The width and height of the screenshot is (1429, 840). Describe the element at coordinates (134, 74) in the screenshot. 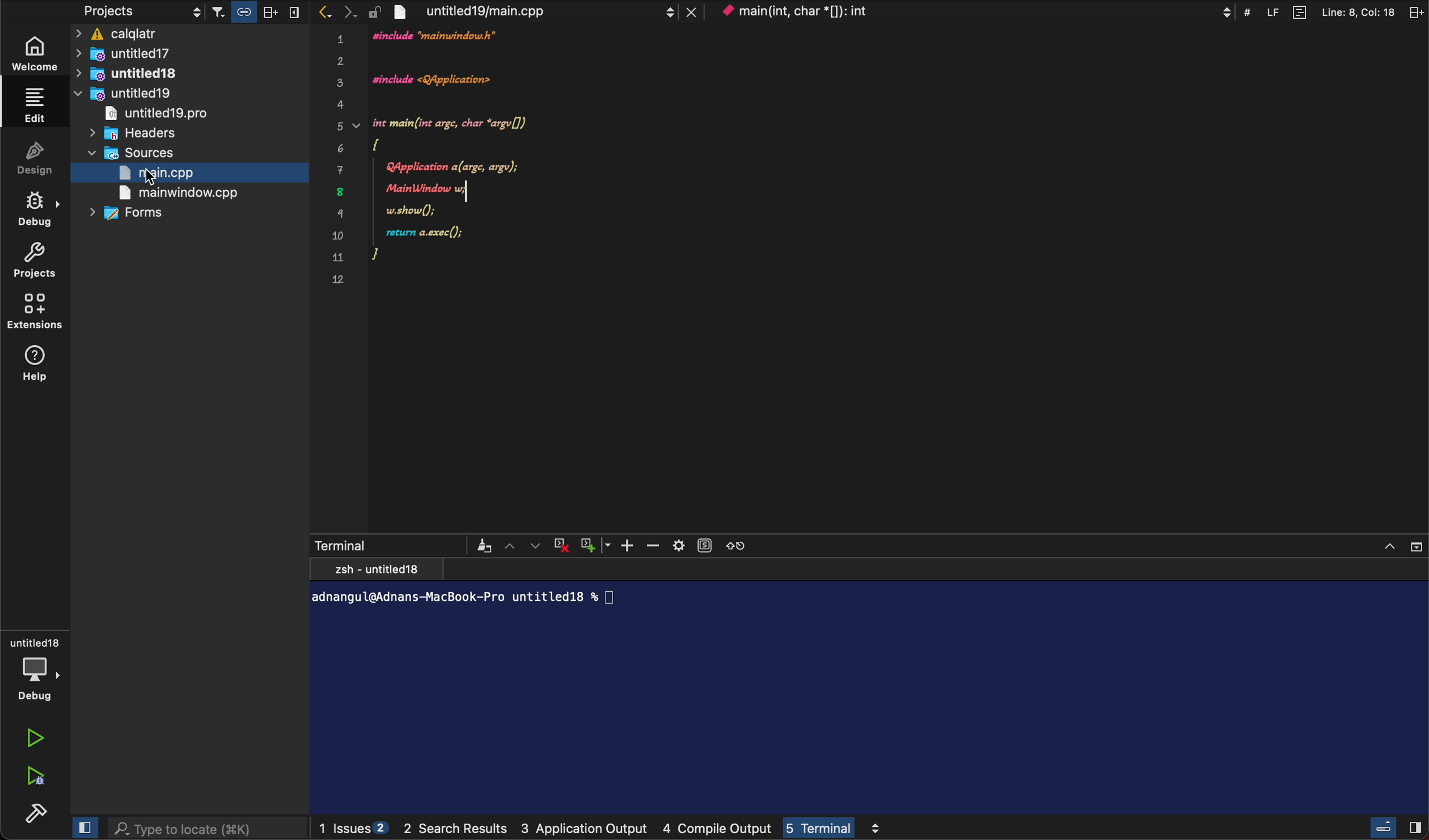

I see `untitlewd18` at that location.